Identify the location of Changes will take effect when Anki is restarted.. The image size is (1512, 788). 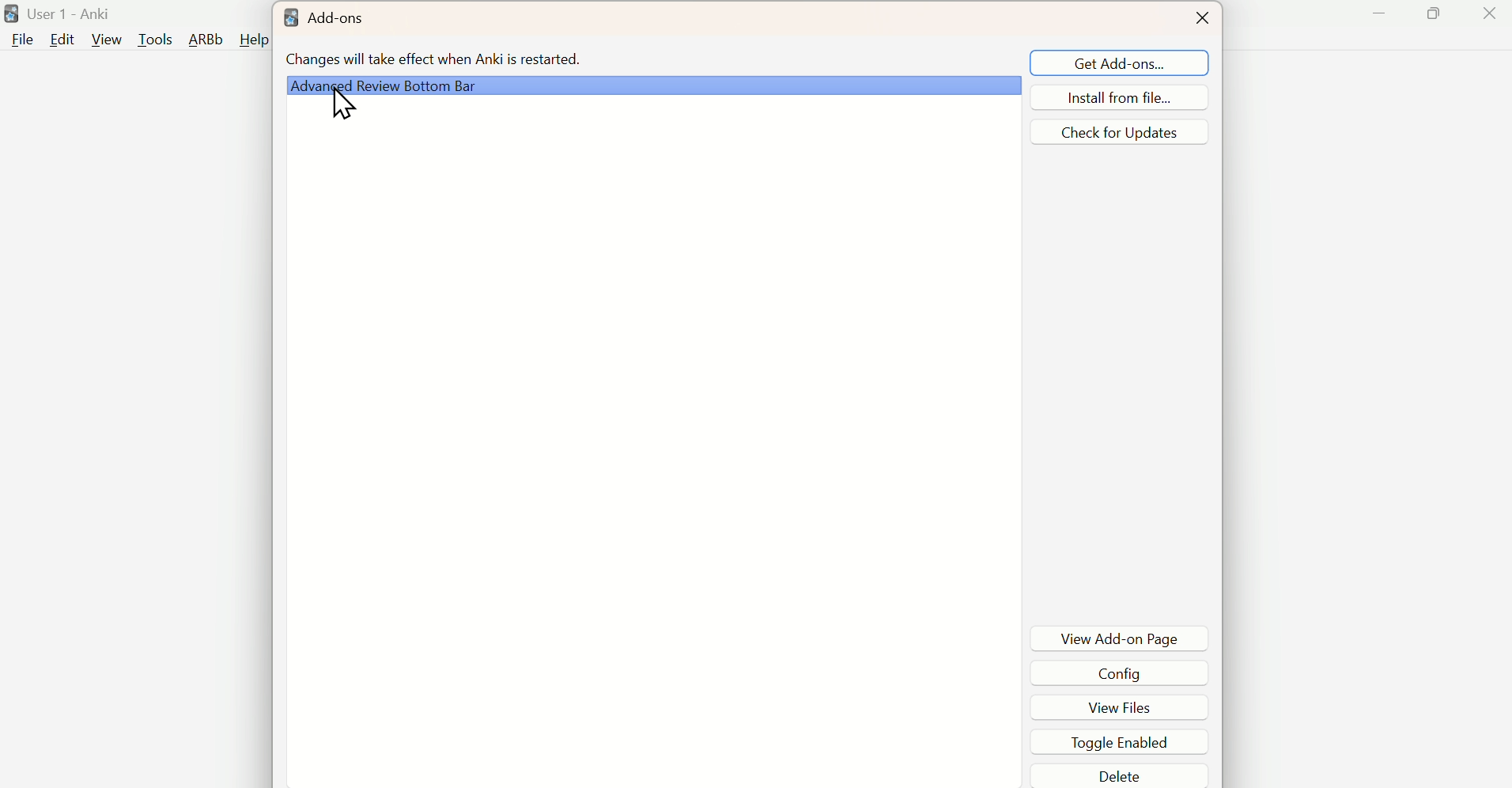
(435, 58).